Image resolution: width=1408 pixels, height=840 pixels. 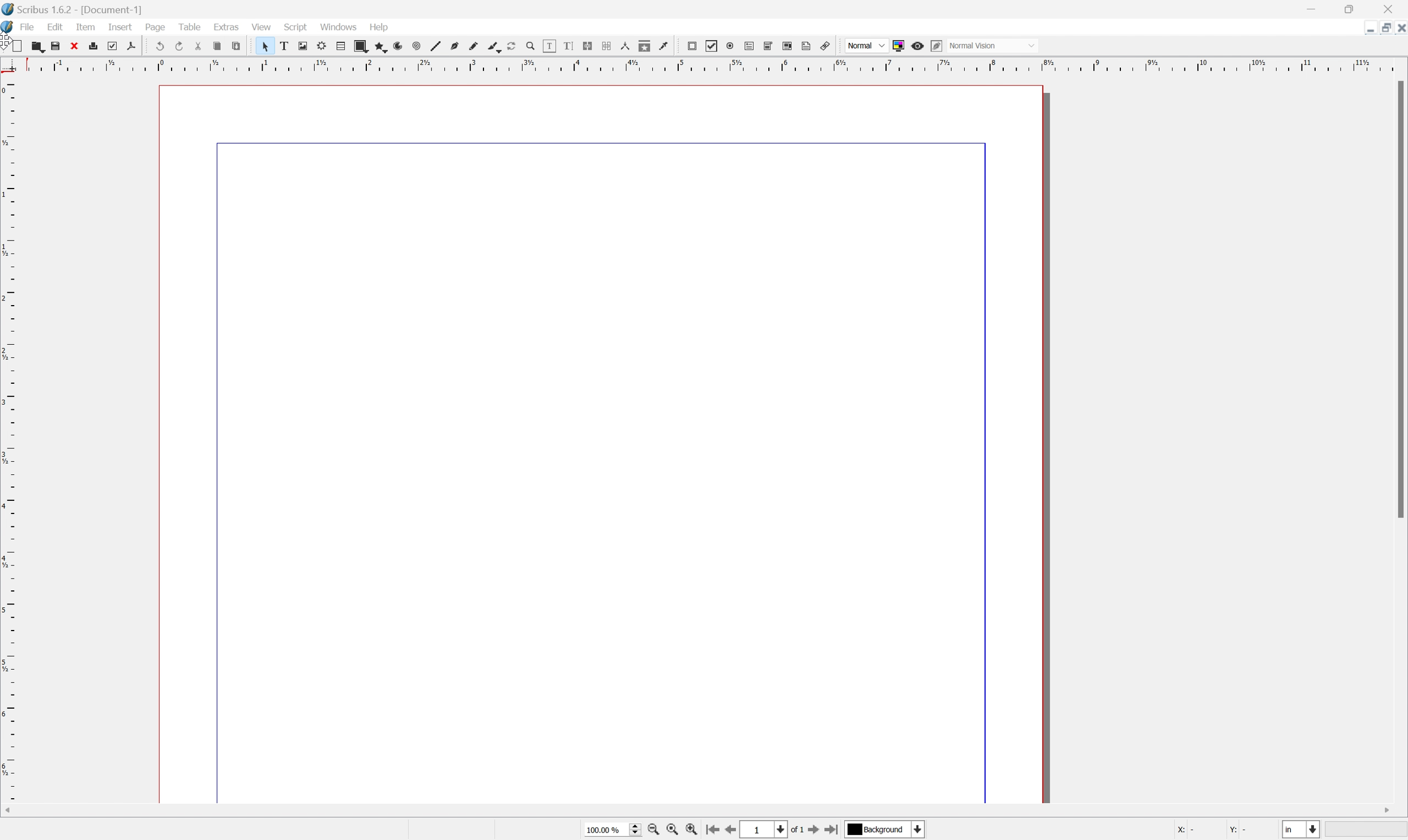 What do you see at coordinates (226, 27) in the screenshot?
I see `extras` at bounding box center [226, 27].